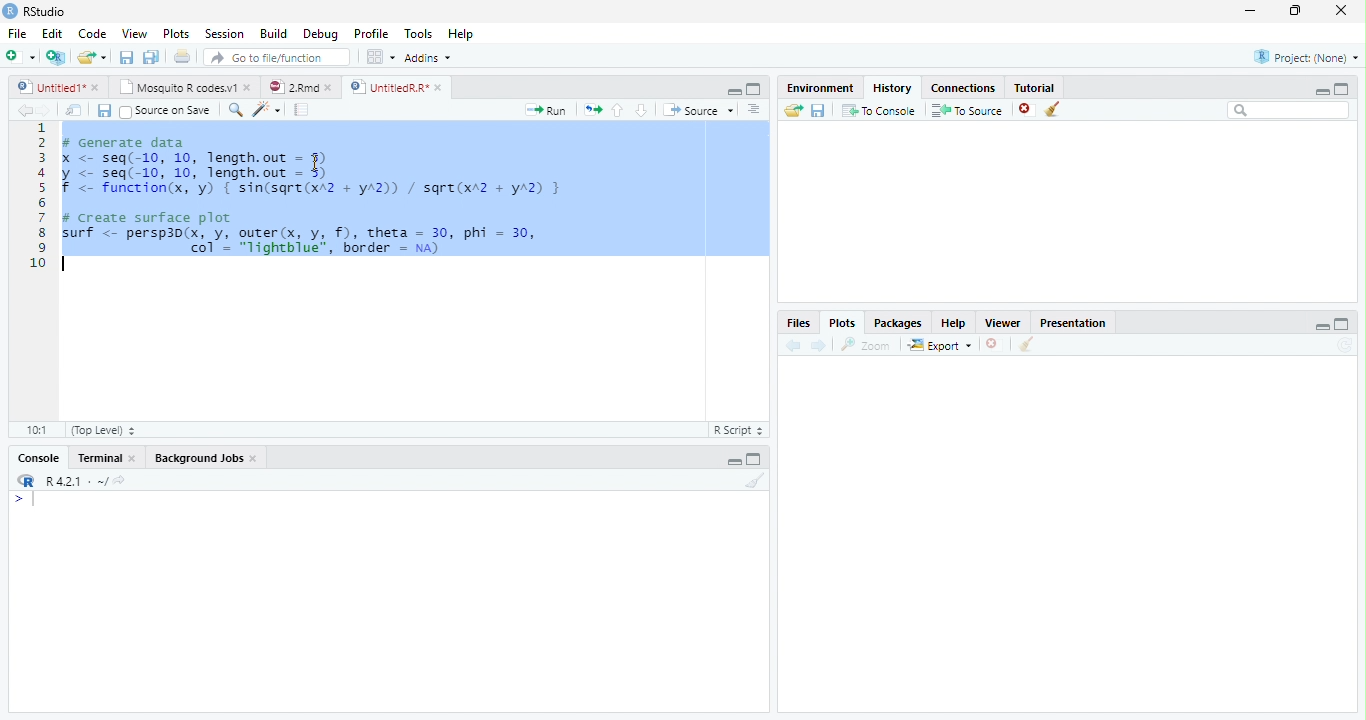 This screenshot has width=1366, height=720. Describe the element at coordinates (1026, 344) in the screenshot. I see `Clear all plots` at that location.